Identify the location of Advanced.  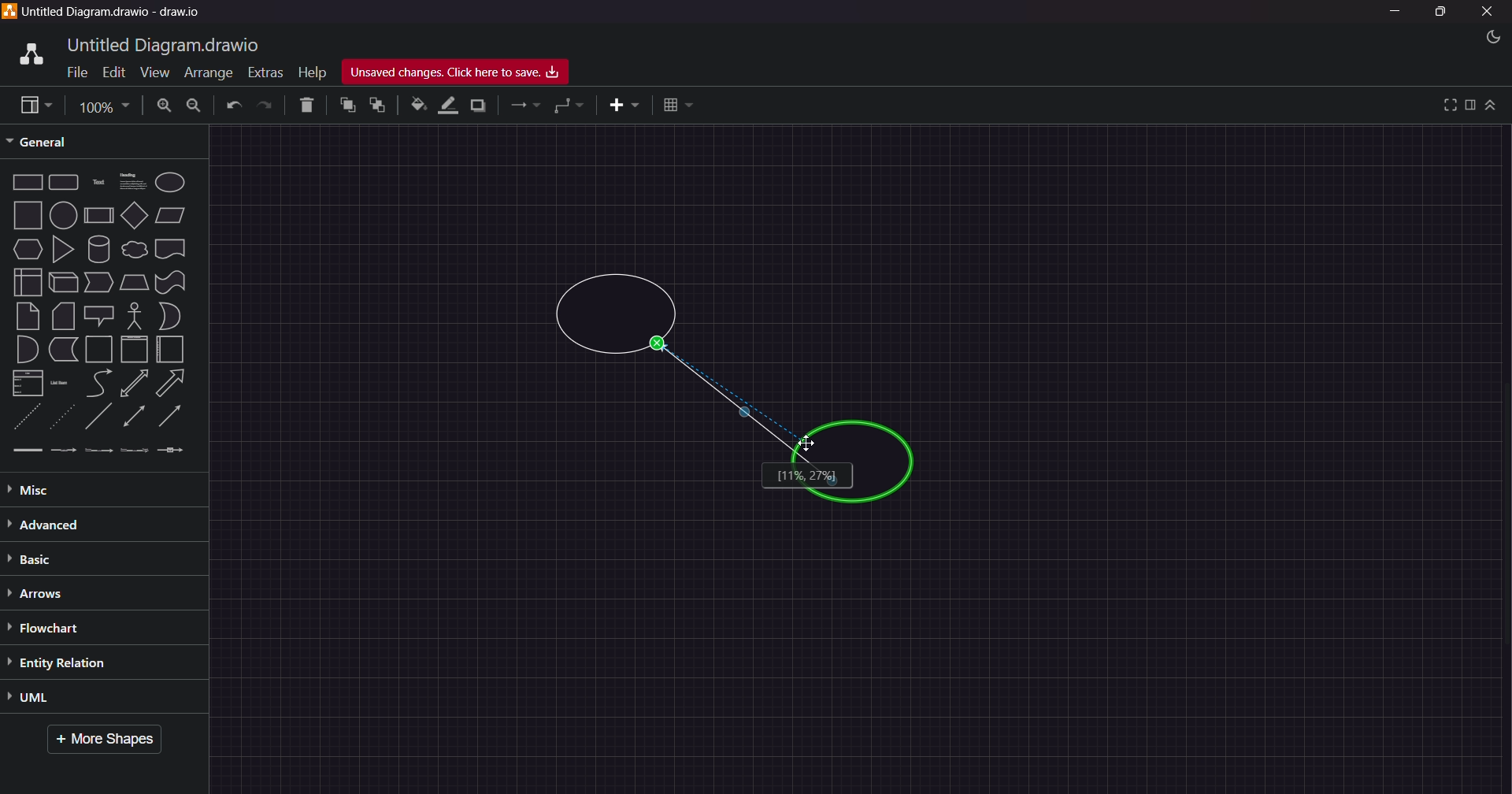
(79, 524).